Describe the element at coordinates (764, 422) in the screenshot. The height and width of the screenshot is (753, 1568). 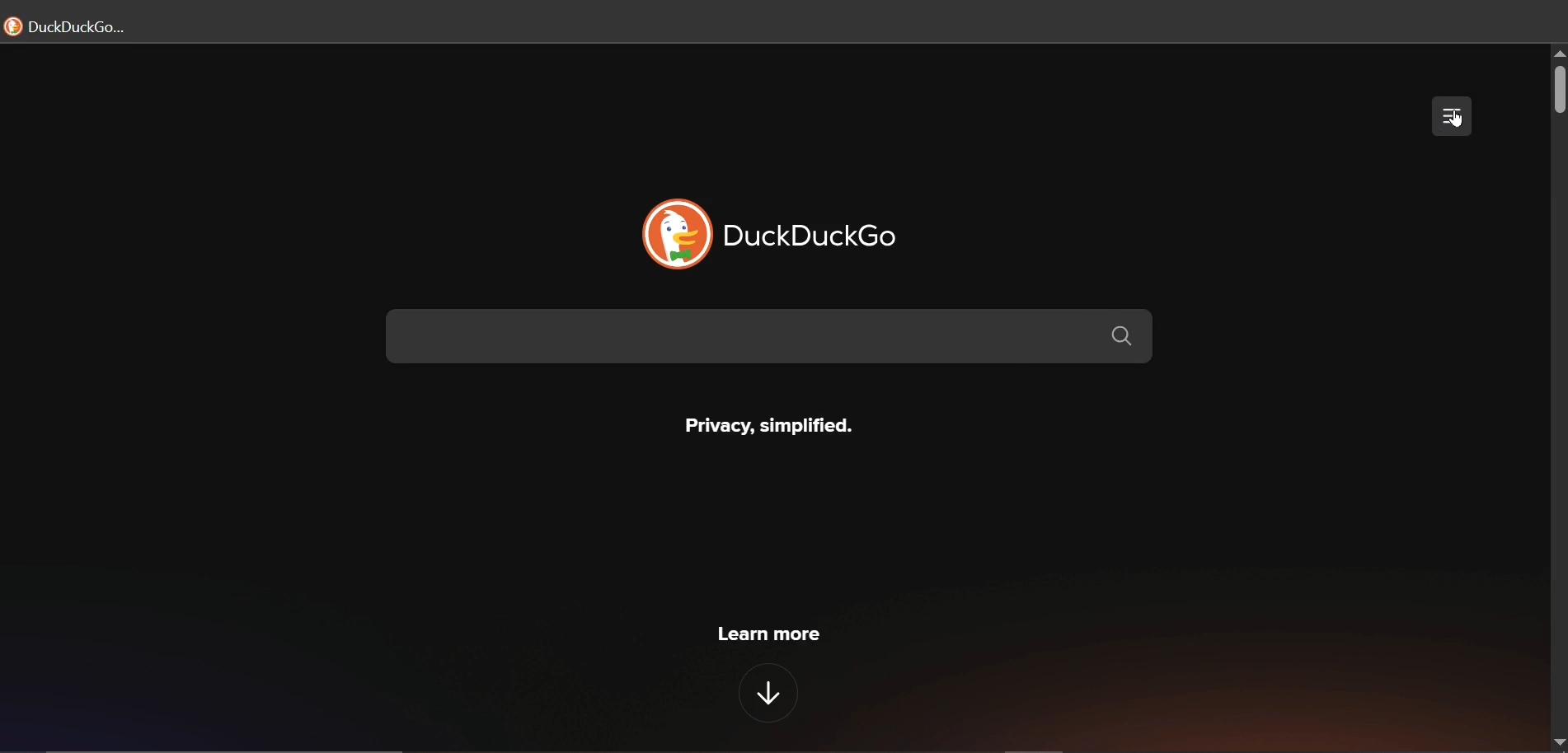
I see `Privacy, simplified` at that location.